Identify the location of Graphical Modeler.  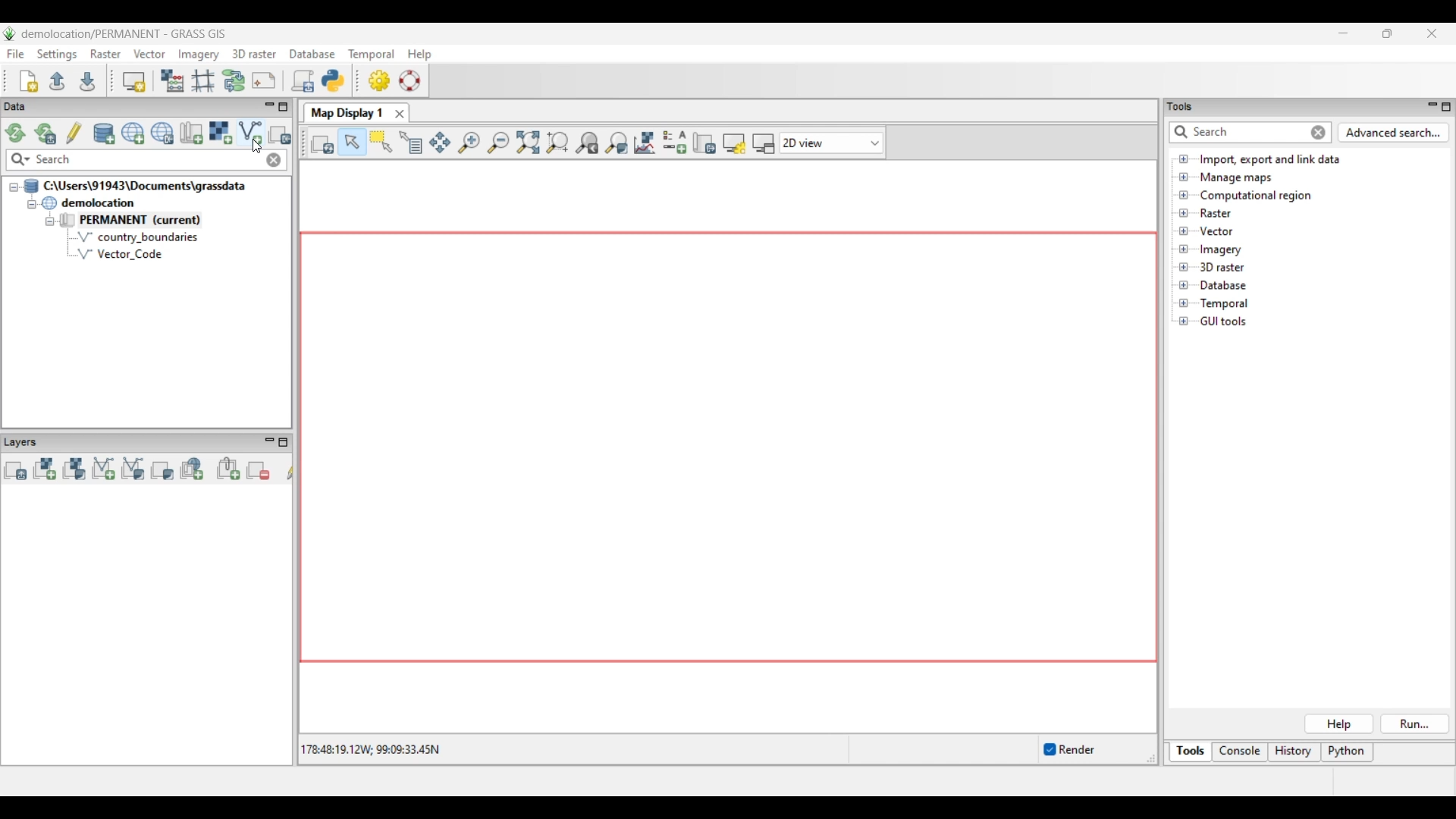
(234, 80).